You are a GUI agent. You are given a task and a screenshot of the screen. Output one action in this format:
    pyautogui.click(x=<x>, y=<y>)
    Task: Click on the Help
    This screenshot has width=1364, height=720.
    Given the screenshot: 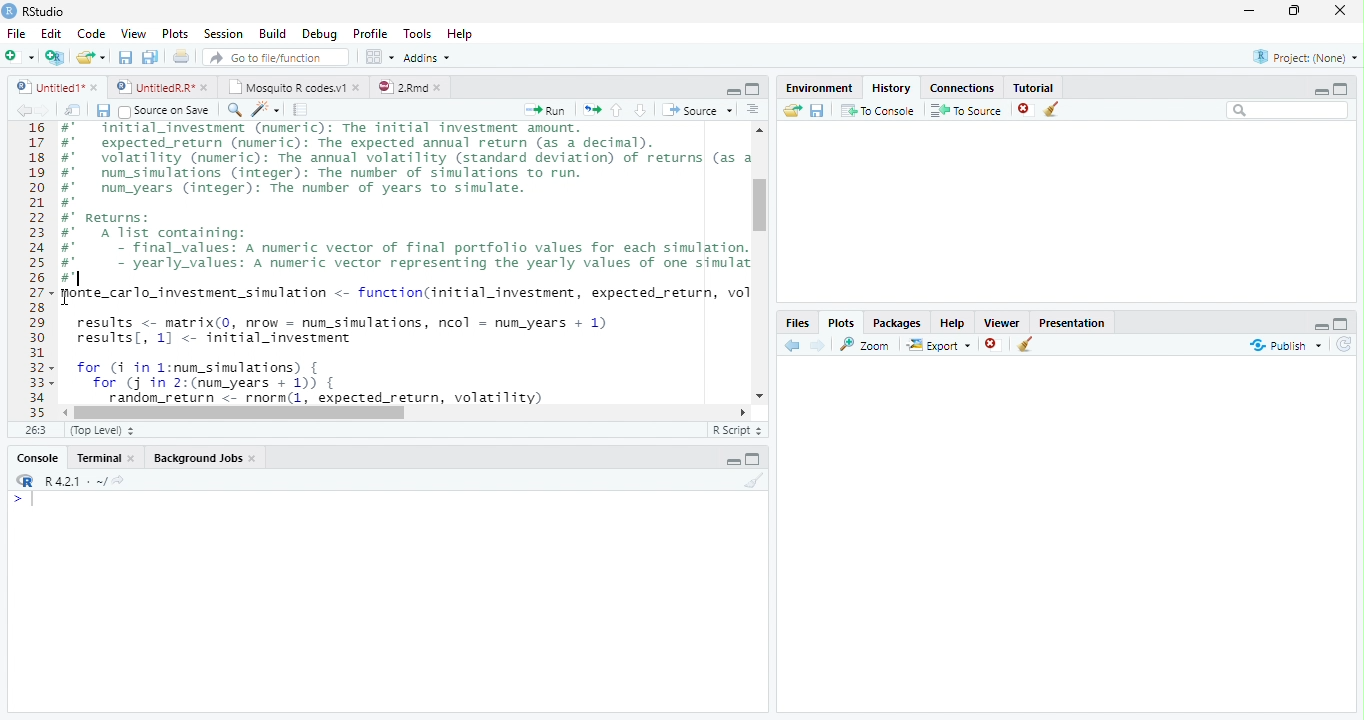 What is the action you would take?
    pyautogui.click(x=952, y=322)
    